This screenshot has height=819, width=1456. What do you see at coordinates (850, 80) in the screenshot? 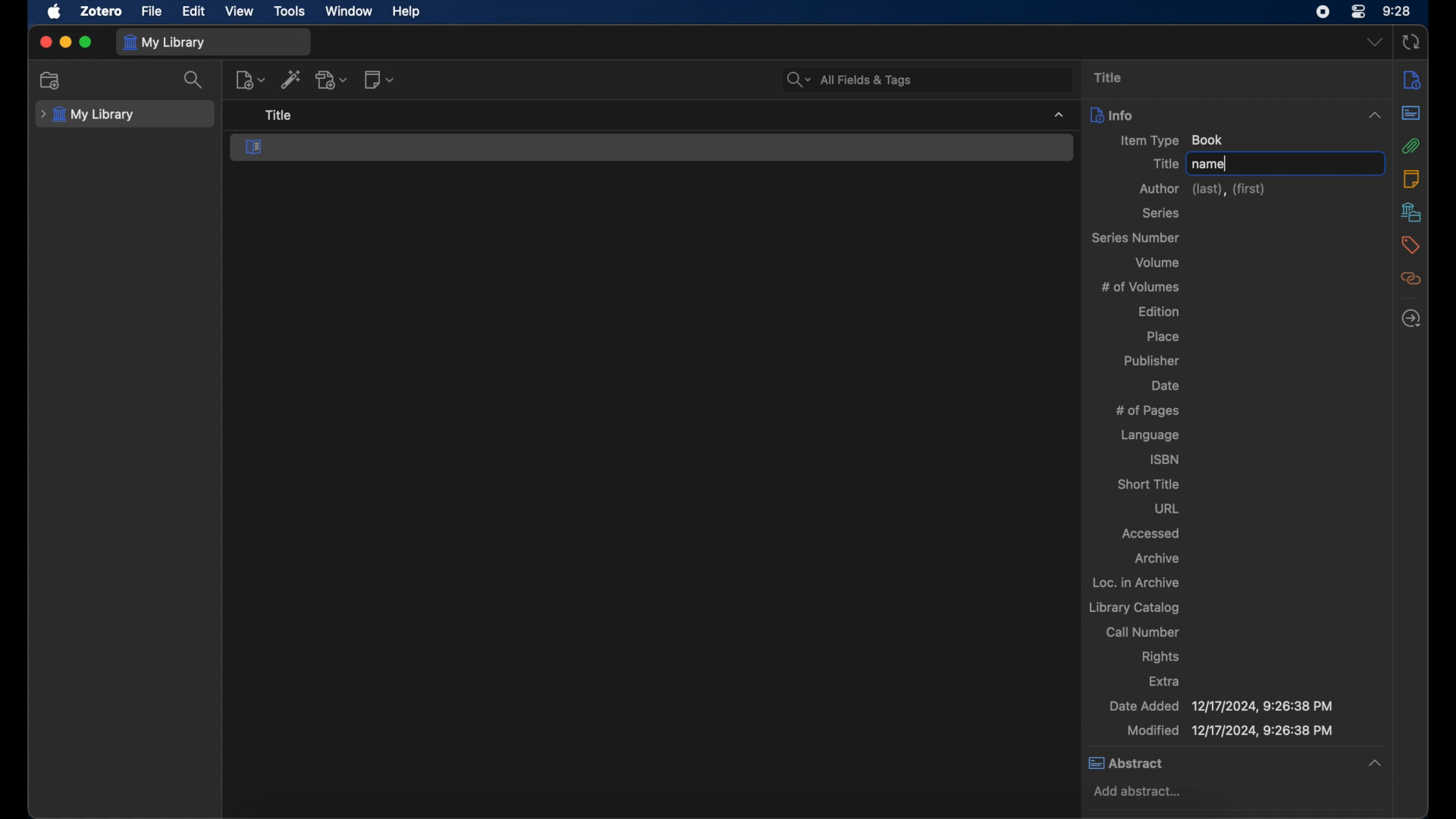
I see `all fields and tags` at bounding box center [850, 80].